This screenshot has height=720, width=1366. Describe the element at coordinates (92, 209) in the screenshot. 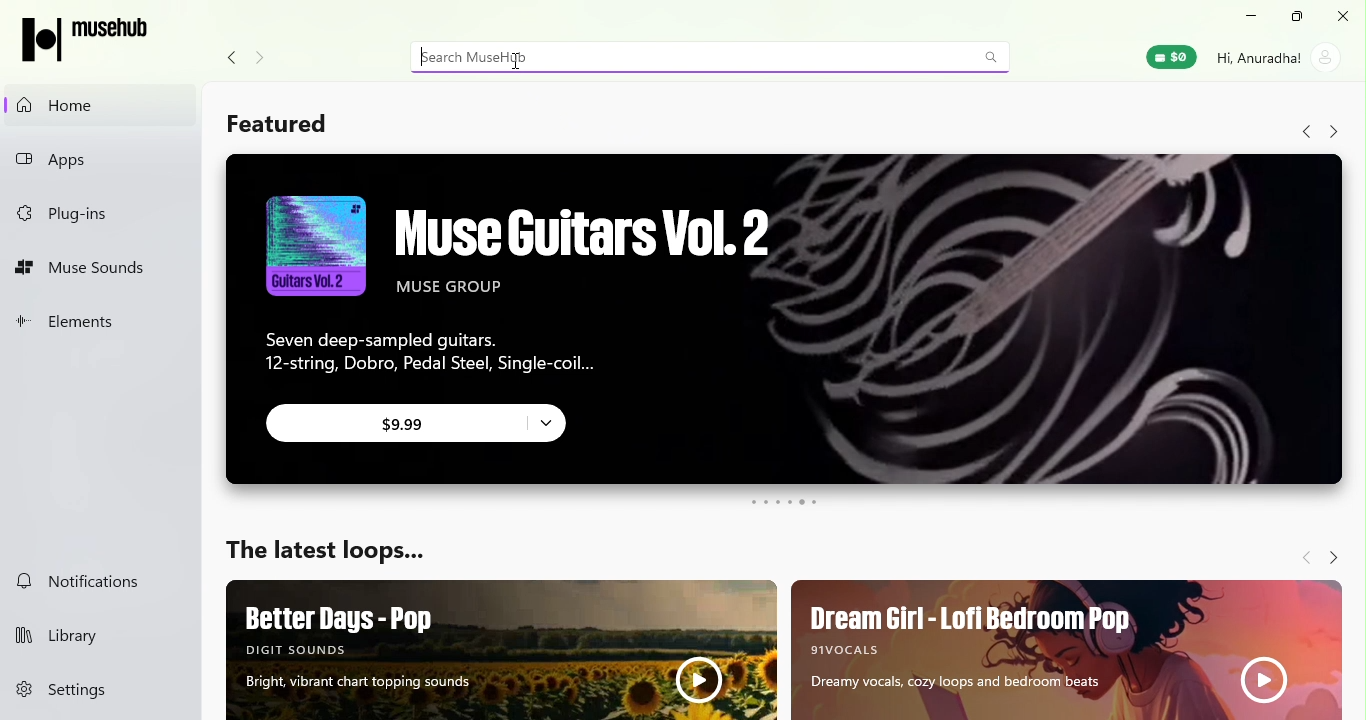

I see `Plug-ins` at that location.